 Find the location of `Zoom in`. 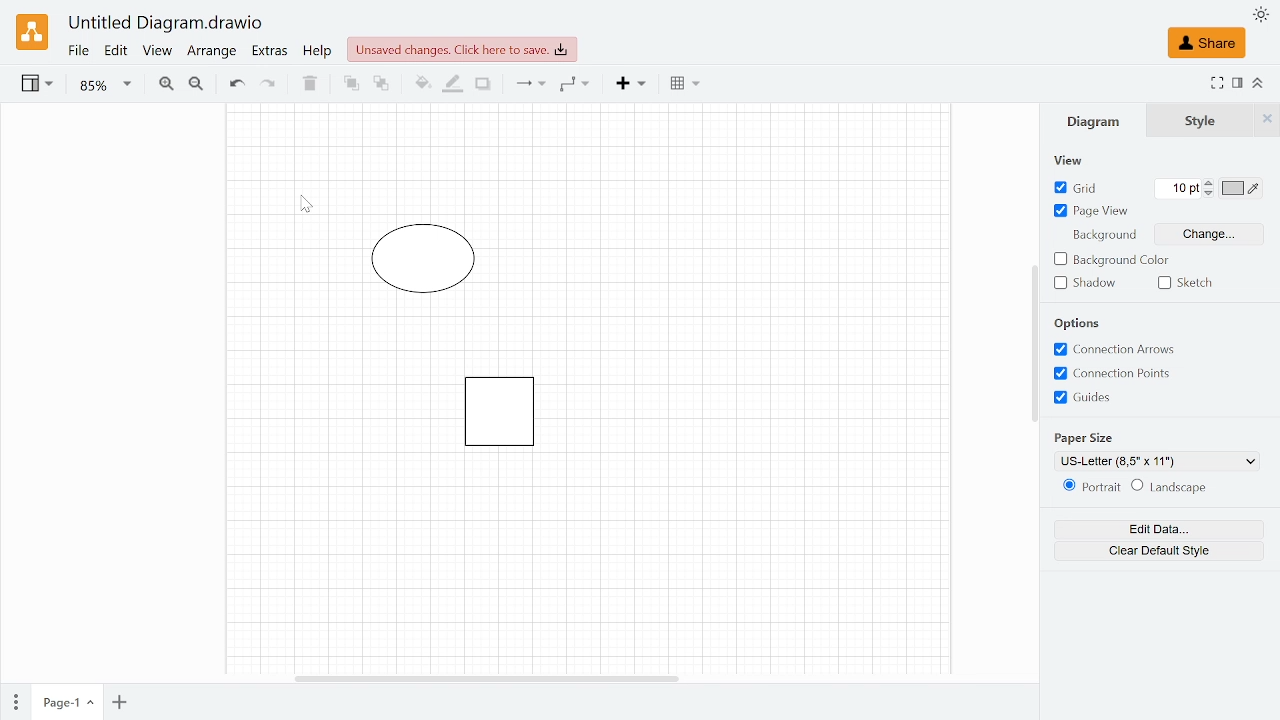

Zoom in is located at coordinates (166, 84).